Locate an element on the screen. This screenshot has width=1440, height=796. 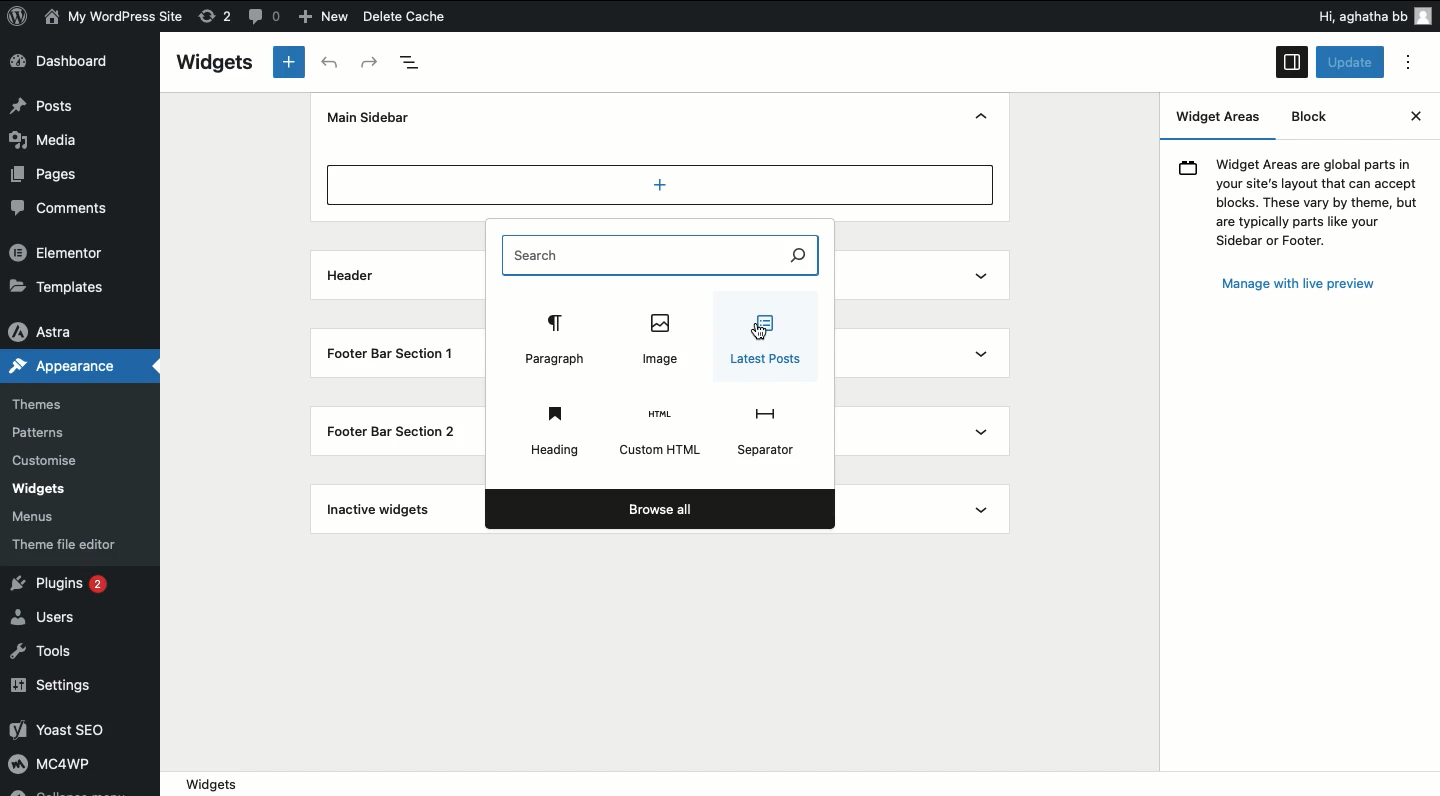
Search is located at coordinates (661, 256).